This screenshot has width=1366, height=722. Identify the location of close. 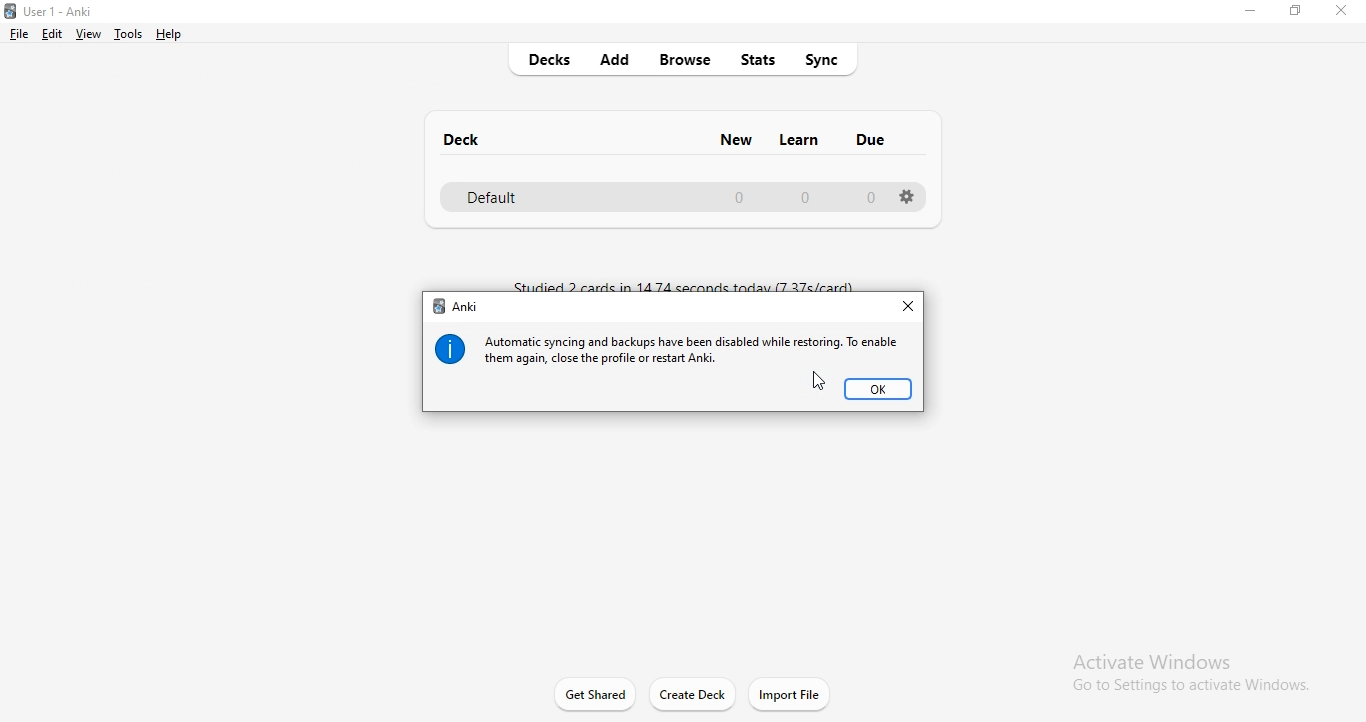
(909, 306).